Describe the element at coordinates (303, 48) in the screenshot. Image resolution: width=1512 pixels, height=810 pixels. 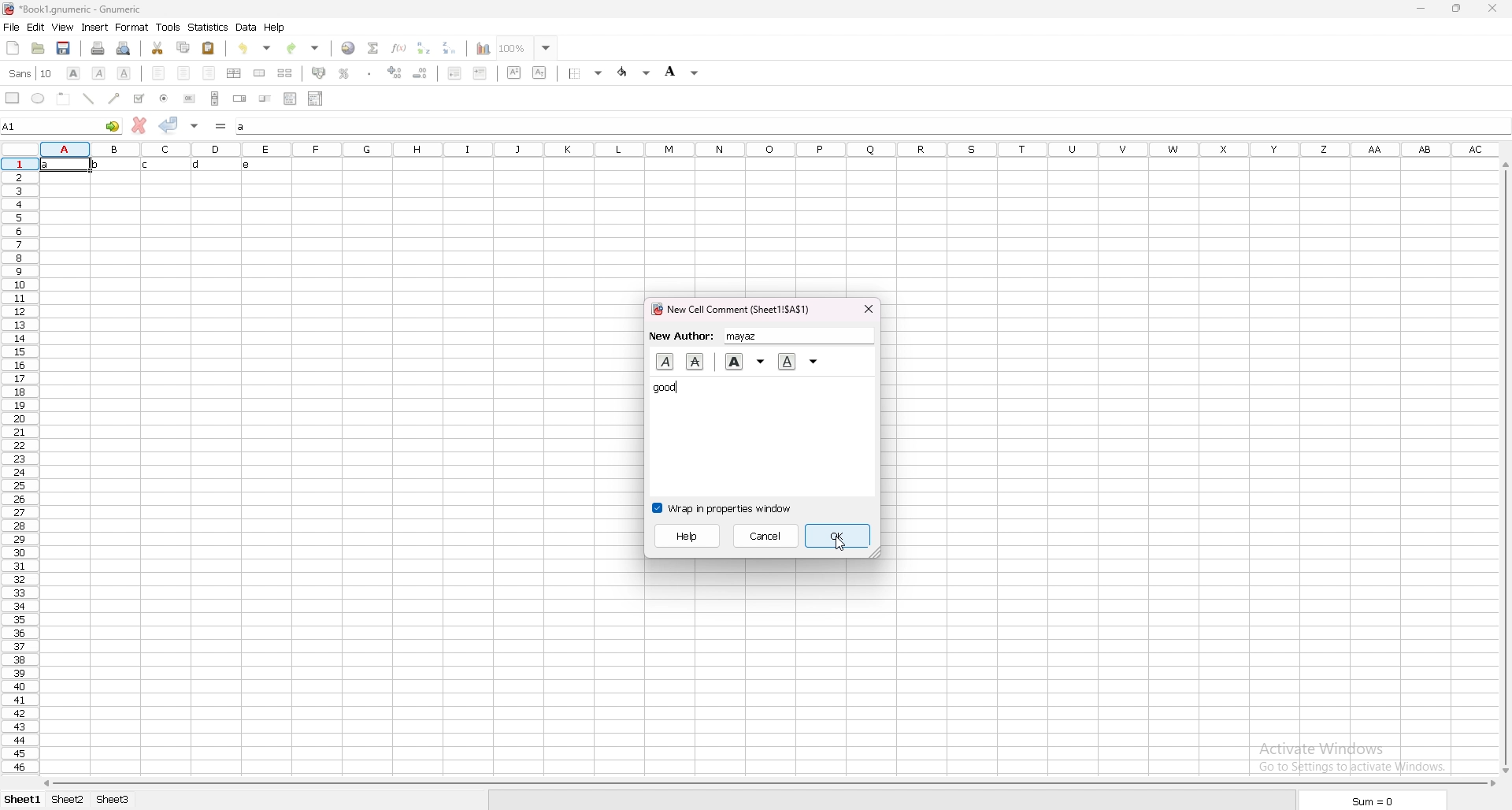
I see `redo` at that location.